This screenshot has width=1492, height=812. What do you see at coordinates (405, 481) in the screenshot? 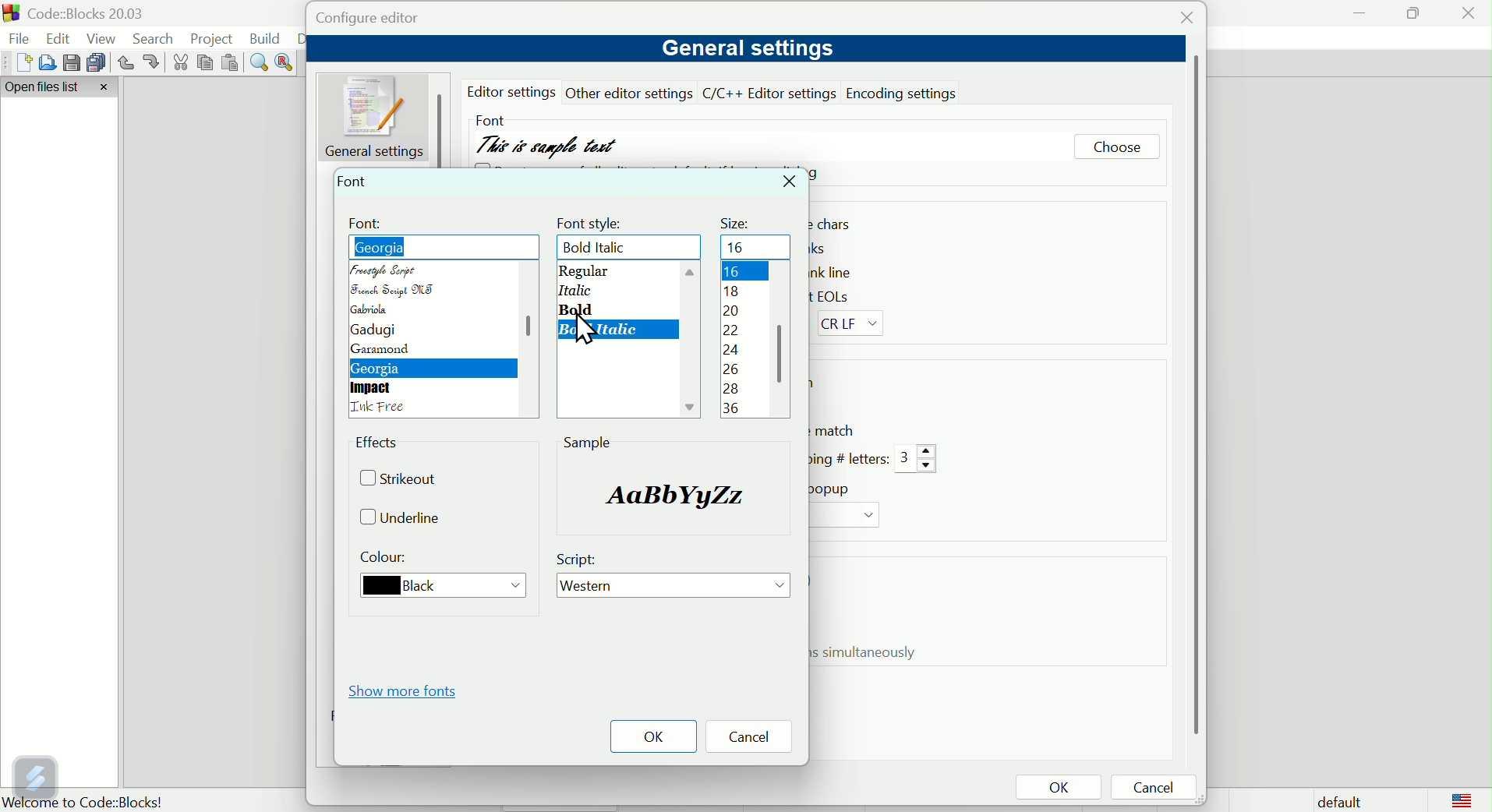
I see `Strike out` at bounding box center [405, 481].